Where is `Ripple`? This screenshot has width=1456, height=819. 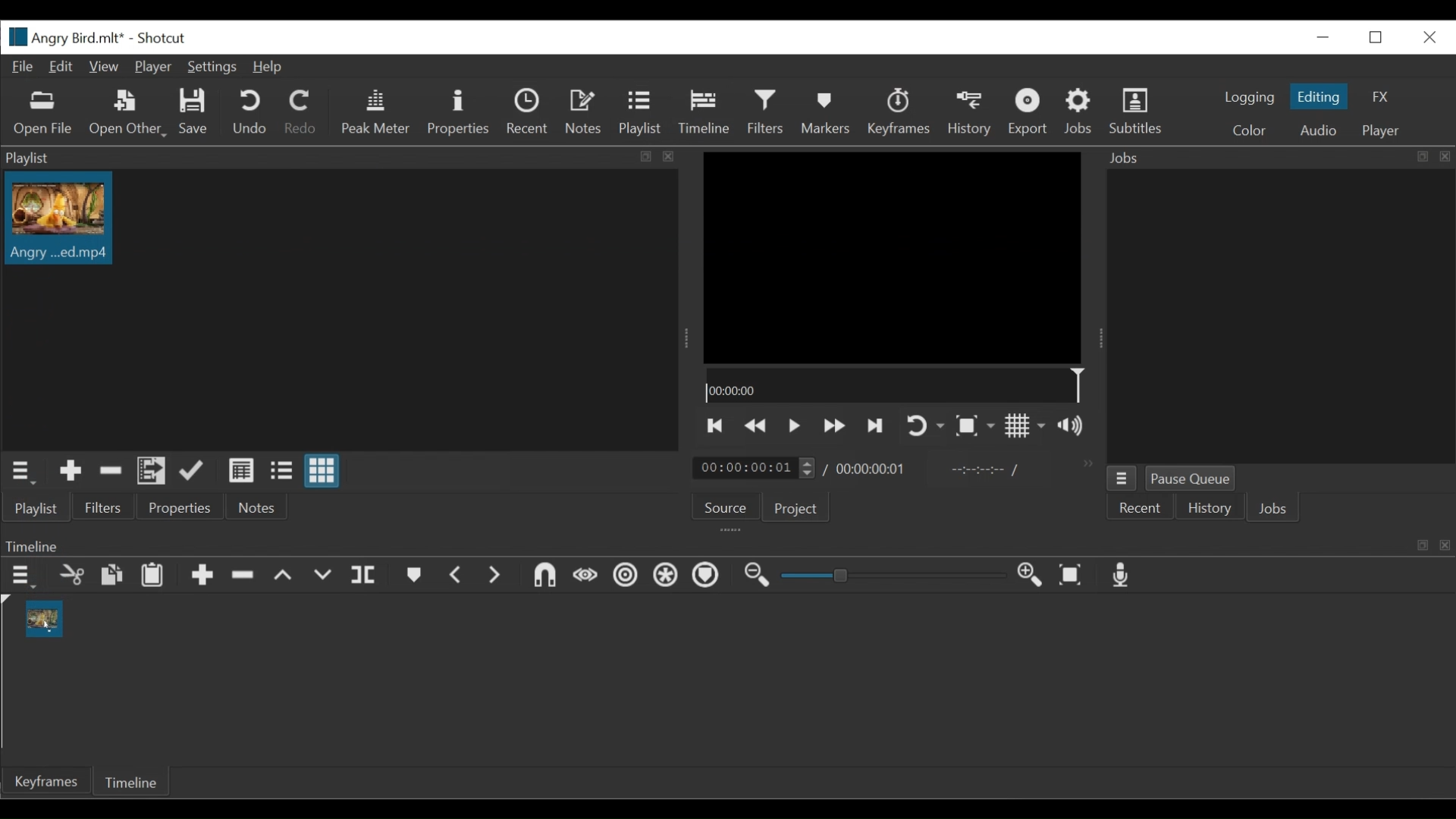 Ripple is located at coordinates (627, 577).